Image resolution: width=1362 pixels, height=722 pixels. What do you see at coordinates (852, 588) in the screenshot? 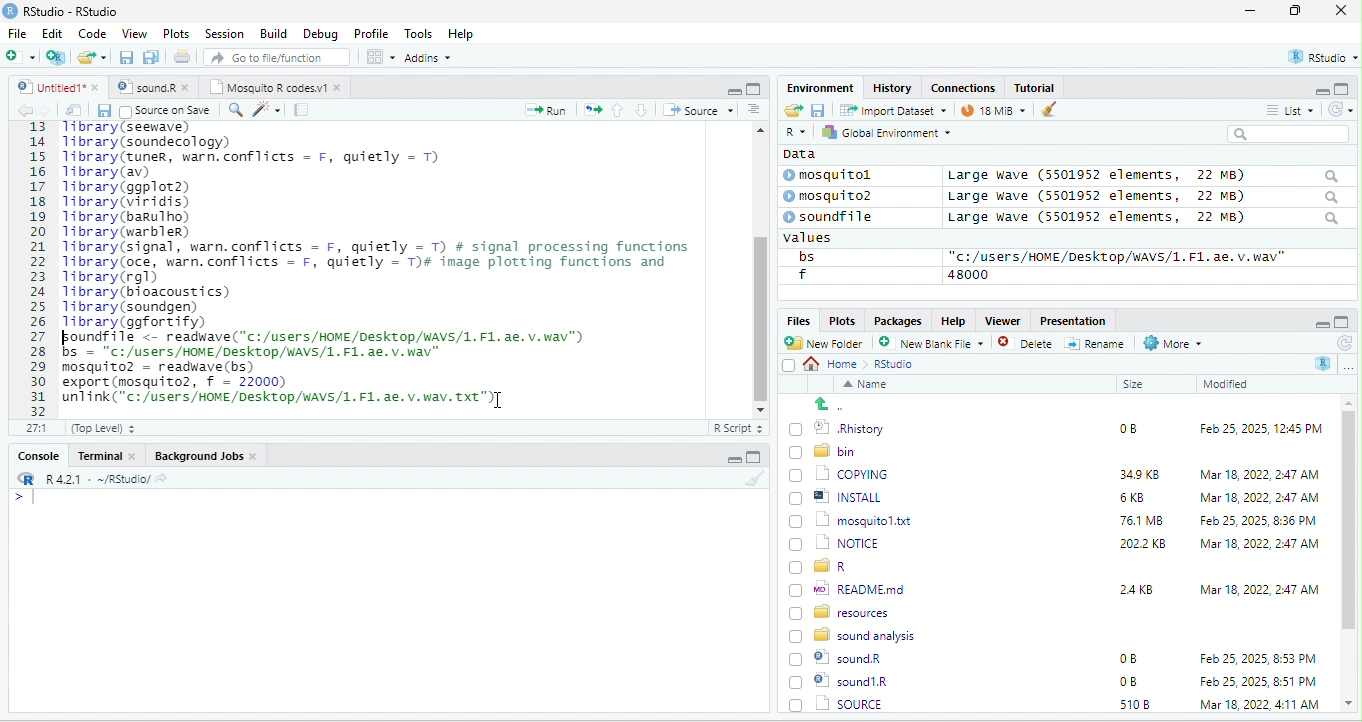
I see `wo| READMEmd` at bounding box center [852, 588].